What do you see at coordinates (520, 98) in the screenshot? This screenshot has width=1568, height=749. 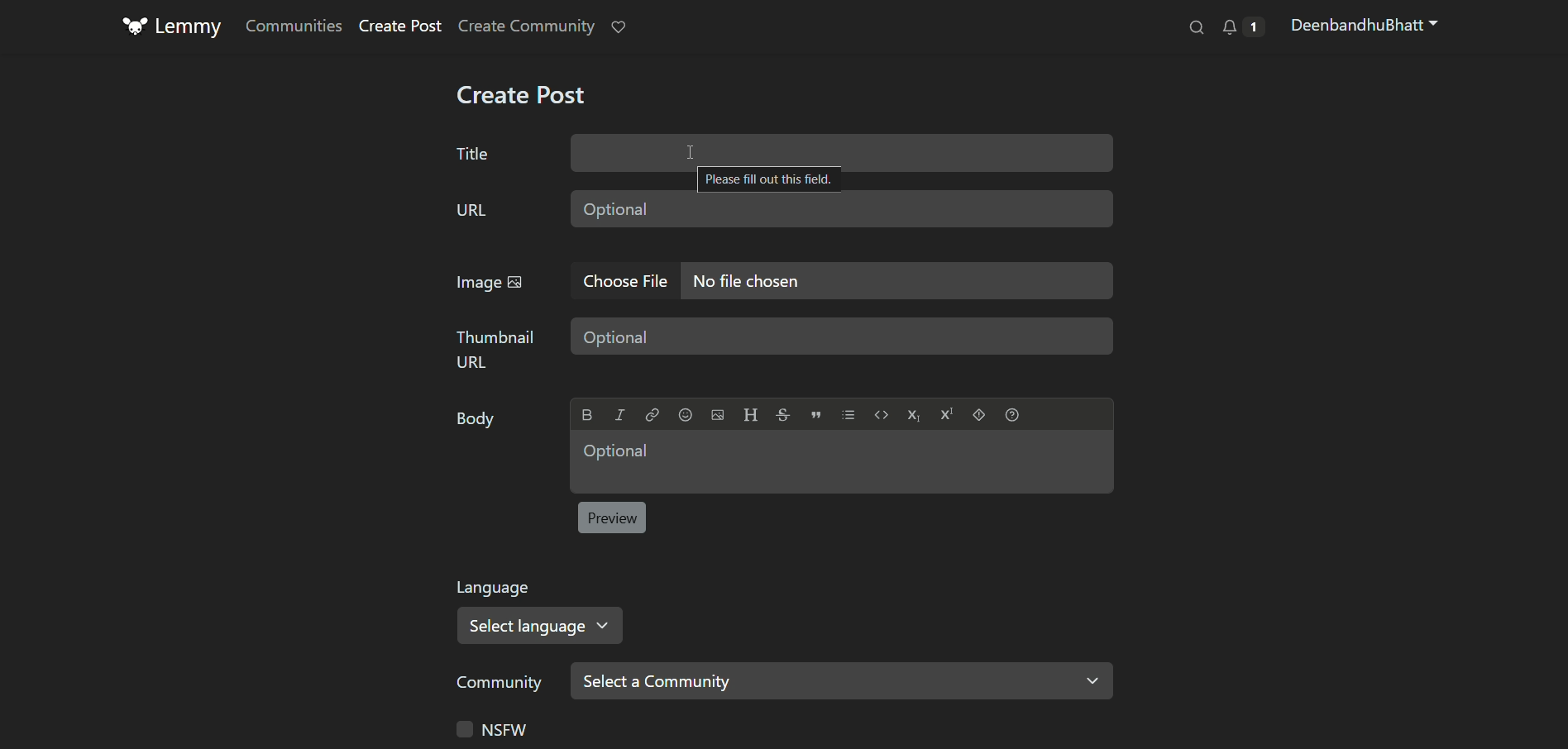 I see `create post` at bounding box center [520, 98].